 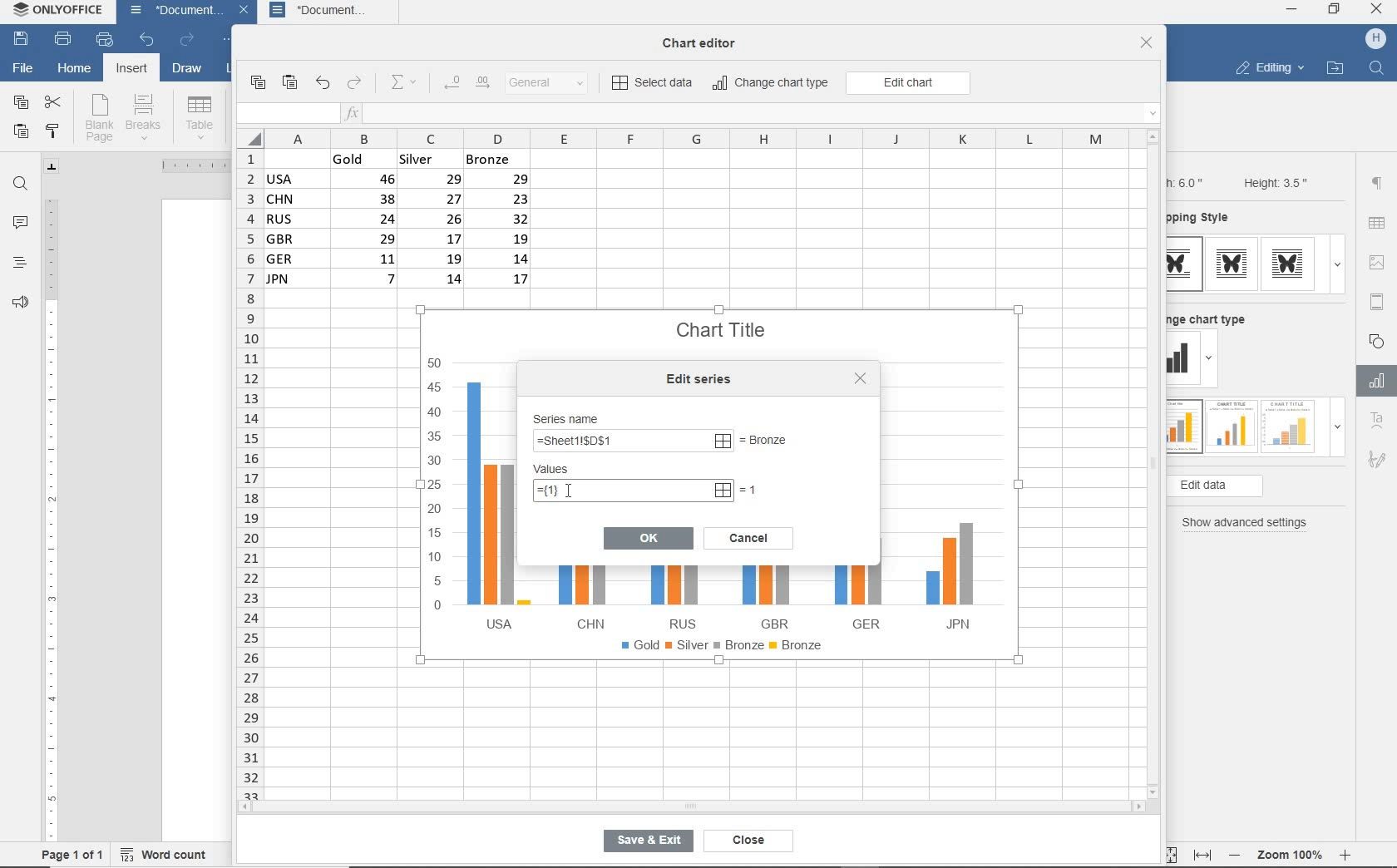 I want to click on save & exit, so click(x=645, y=844).